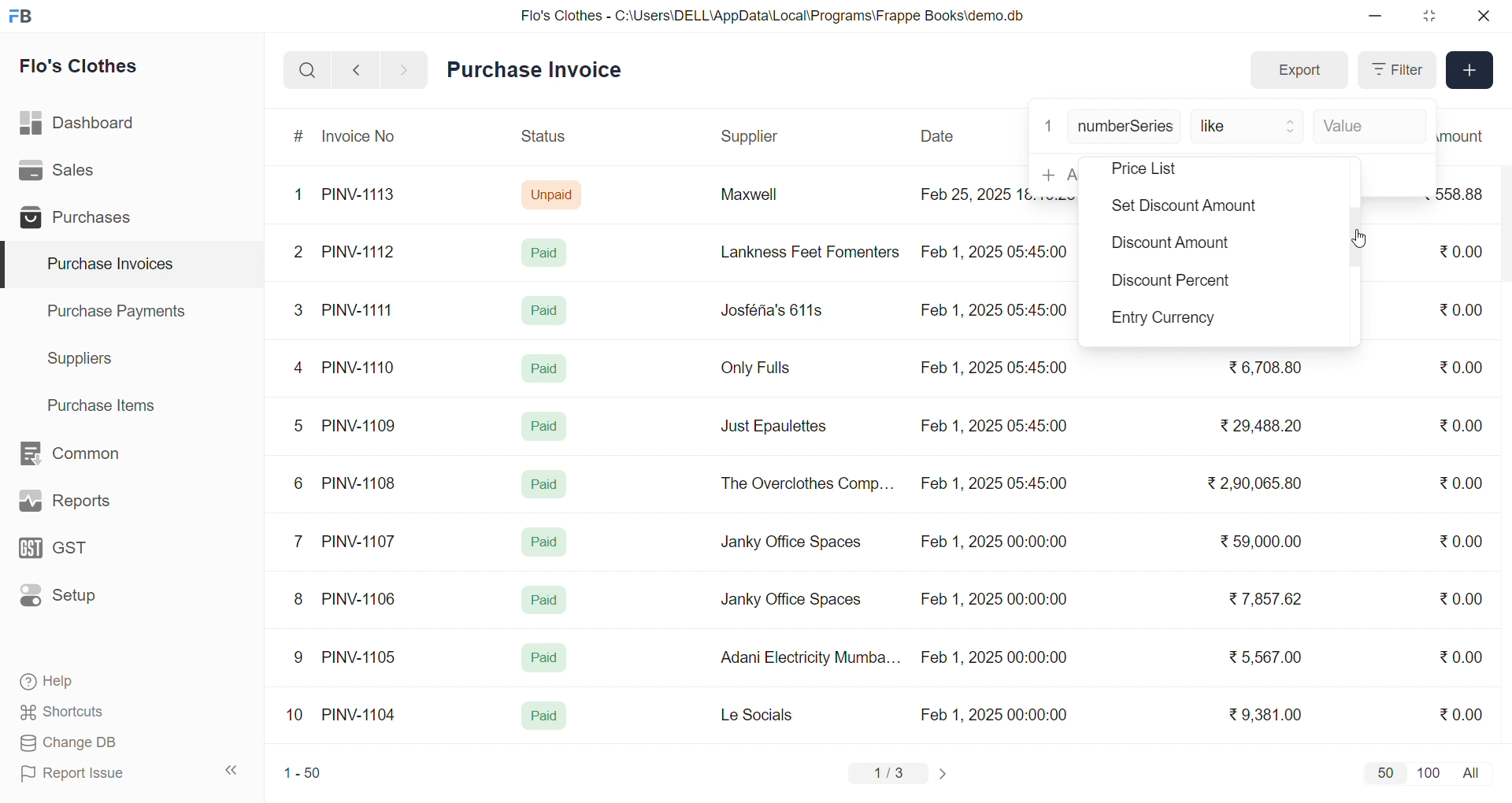  I want to click on PINV-1110, so click(360, 367).